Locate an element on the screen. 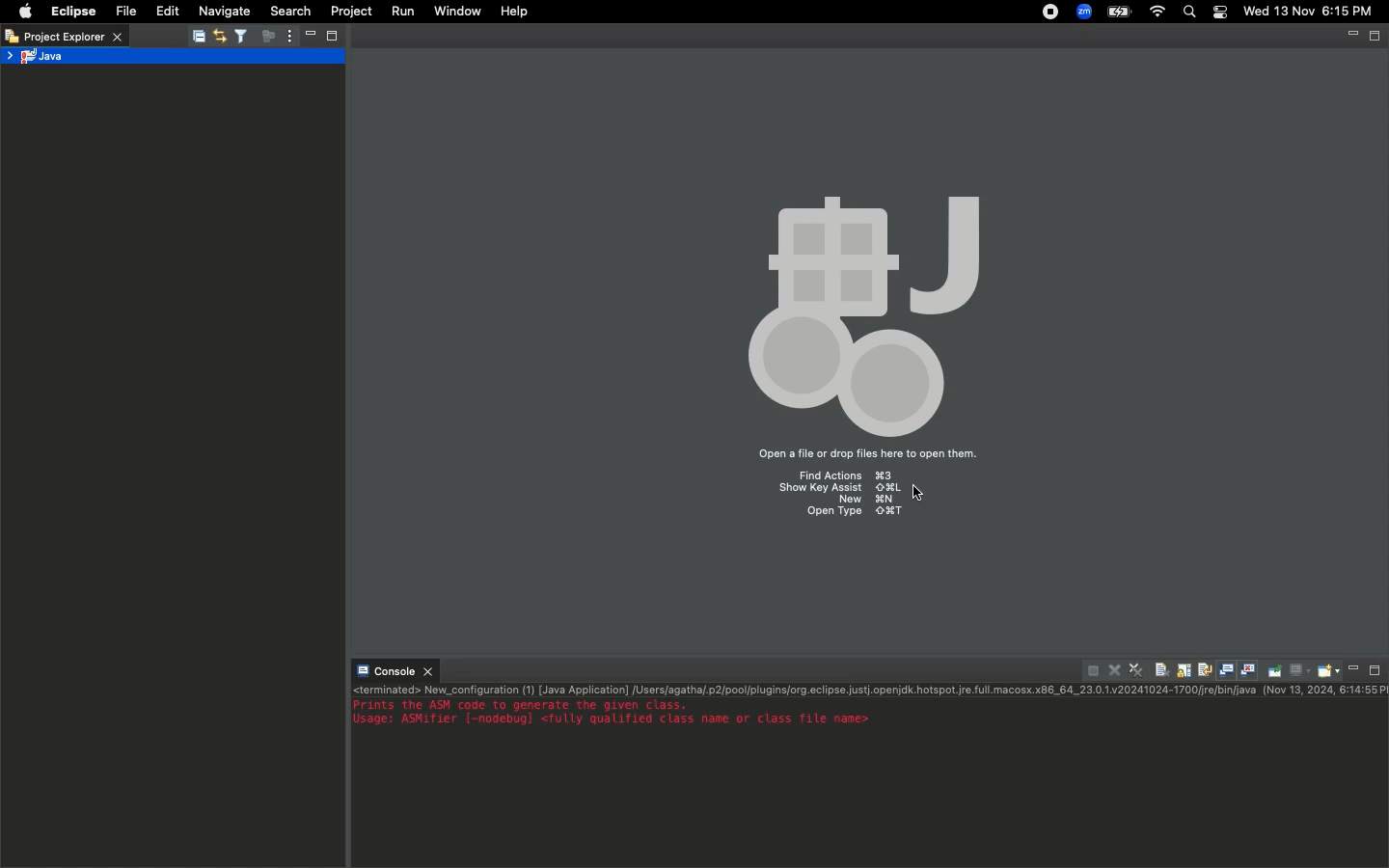  Scroll lock is located at coordinates (1185, 671).